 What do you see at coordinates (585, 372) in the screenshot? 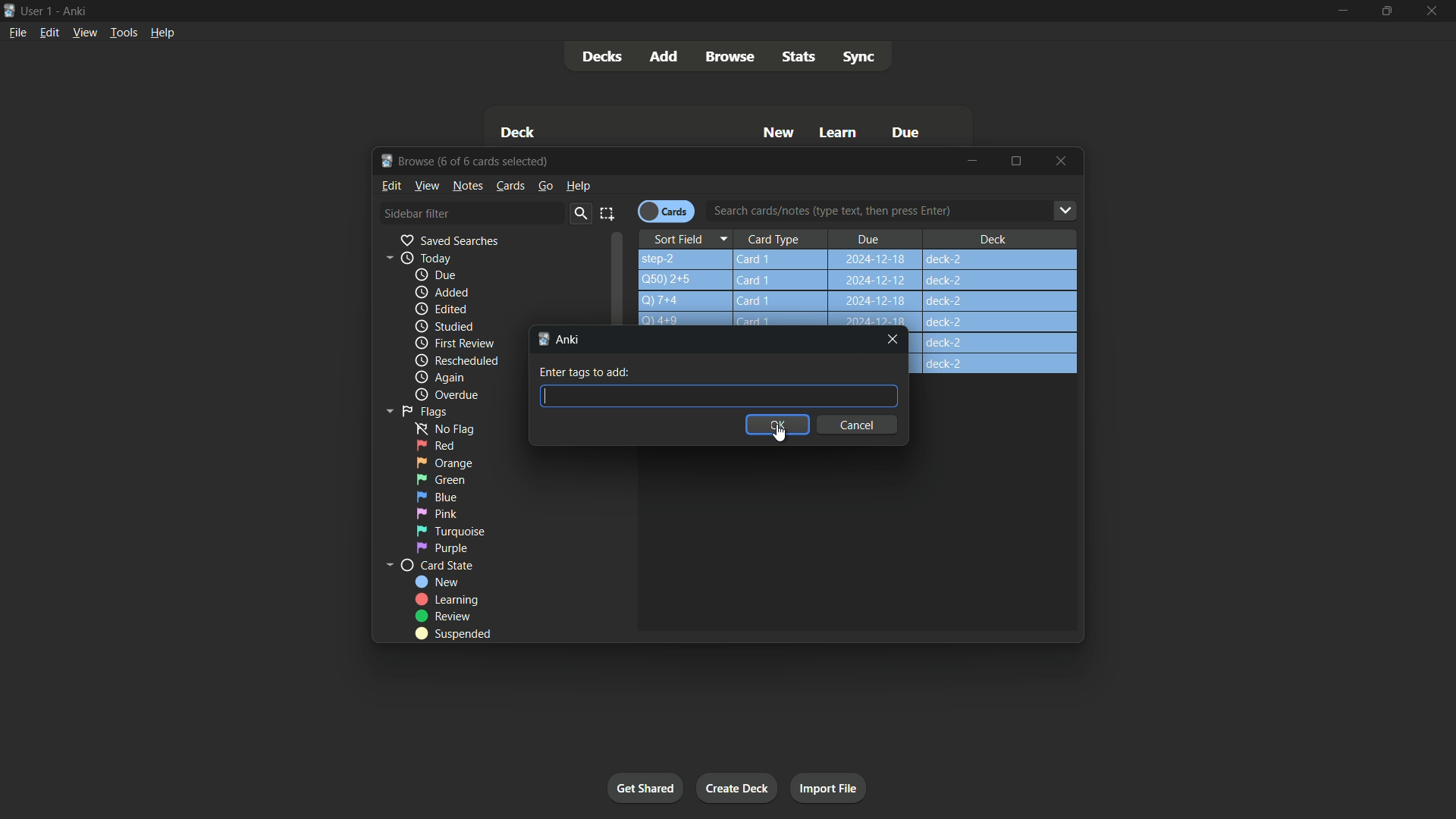
I see `Enter tags to add` at bounding box center [585, 372].